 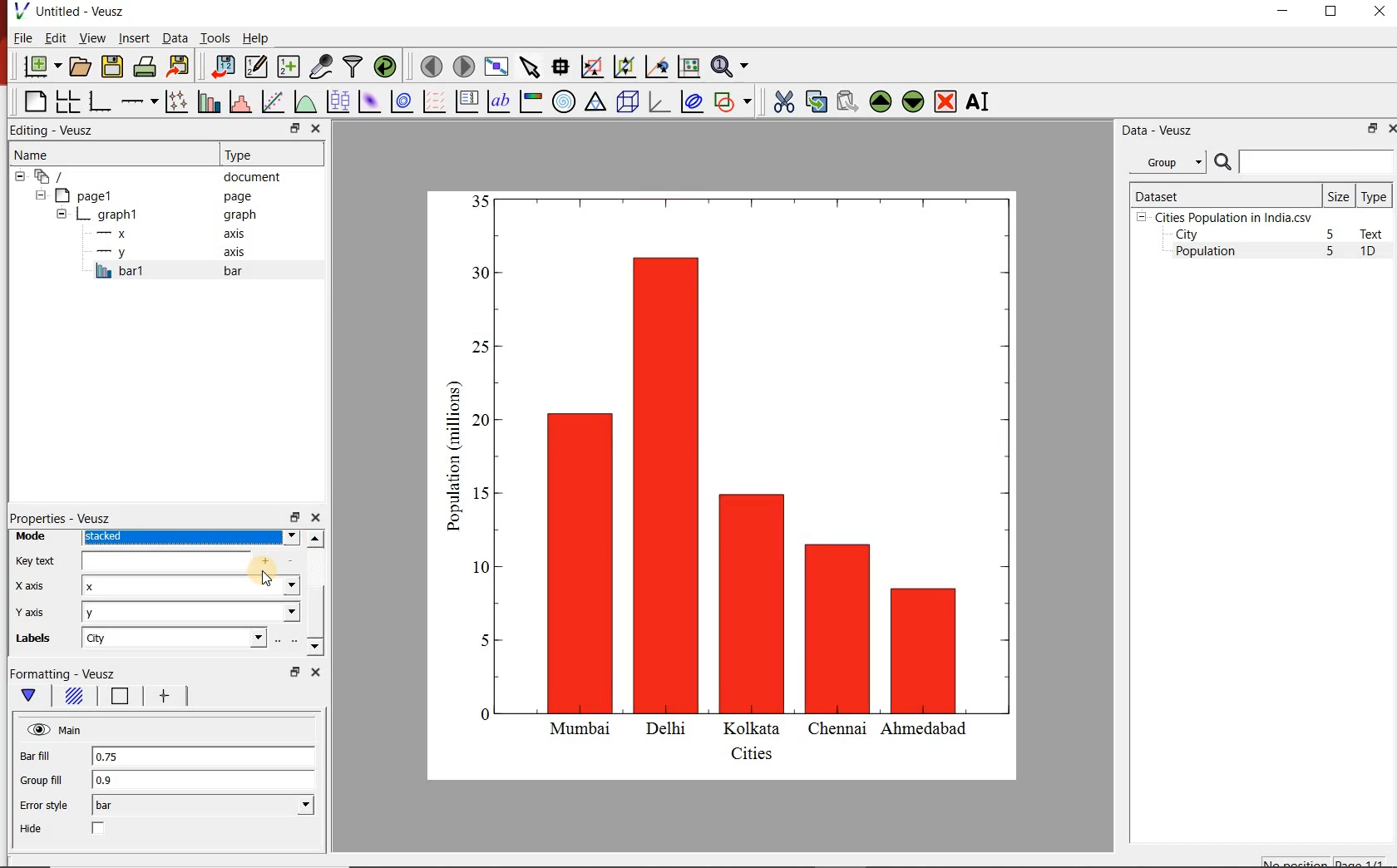 I want to click on Group datasets with property given, so click(x=1167, y=161).